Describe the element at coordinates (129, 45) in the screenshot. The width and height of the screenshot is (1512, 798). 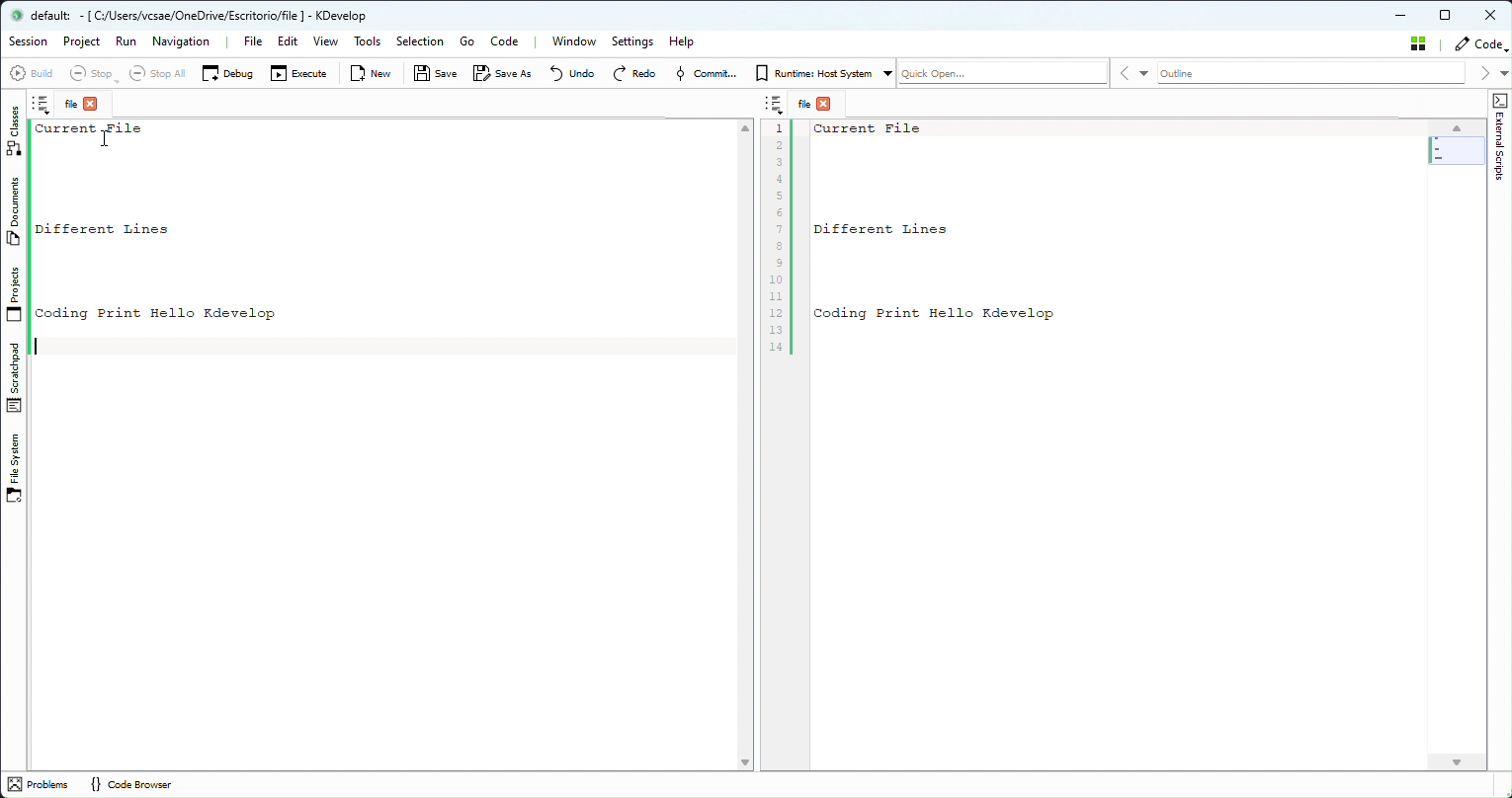
I see `Run` at that location.